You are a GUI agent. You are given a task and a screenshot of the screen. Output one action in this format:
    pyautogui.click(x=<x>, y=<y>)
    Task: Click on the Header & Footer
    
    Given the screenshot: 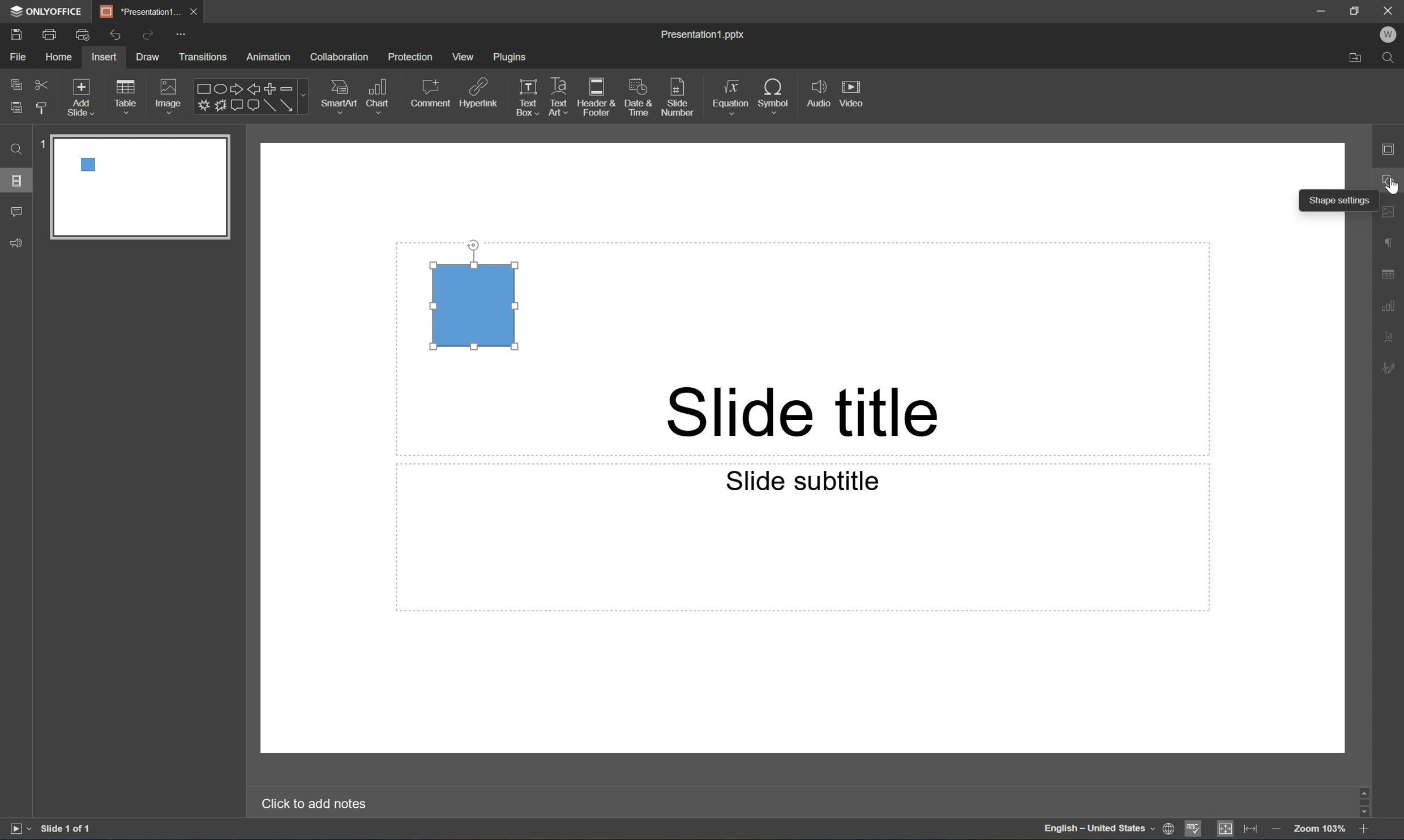 What is the action you would take?
    pyautogui.click(x=596, y=97)
    